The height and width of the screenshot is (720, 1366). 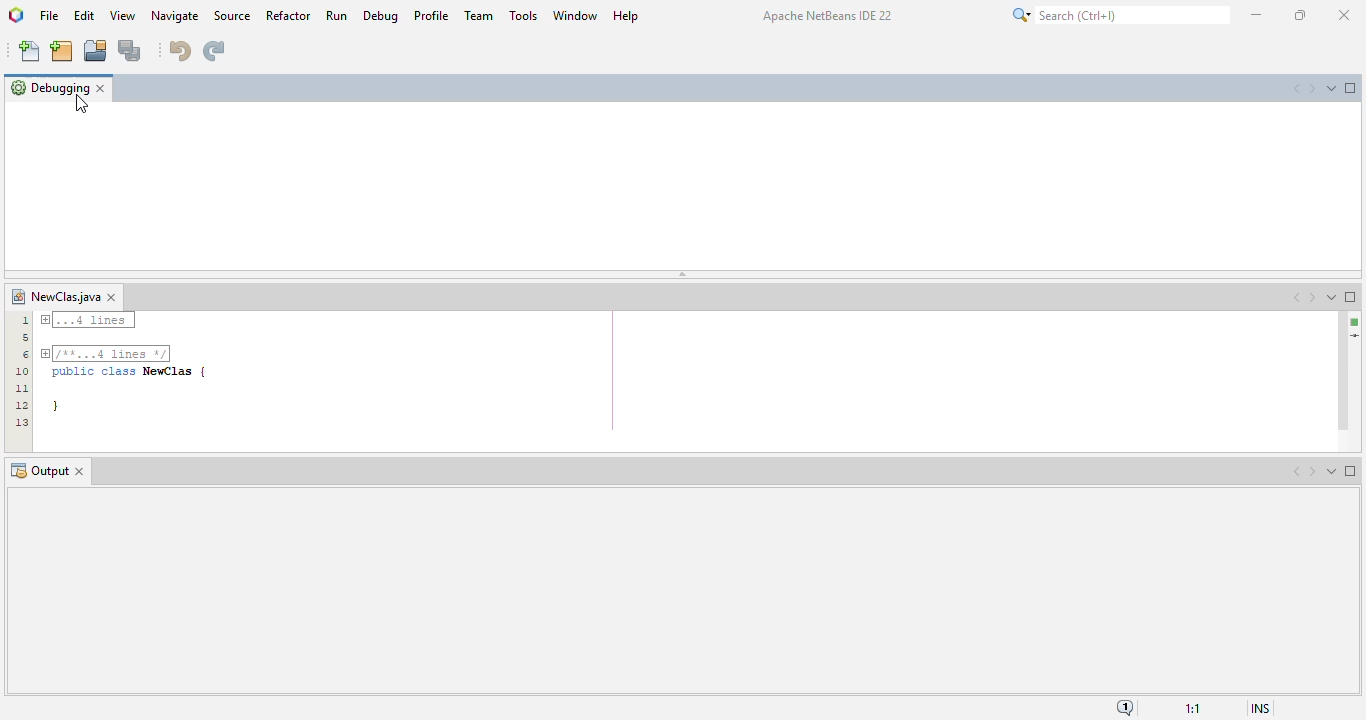 I want to click on search (Ctrl + I), so click(x=1120, y=15).